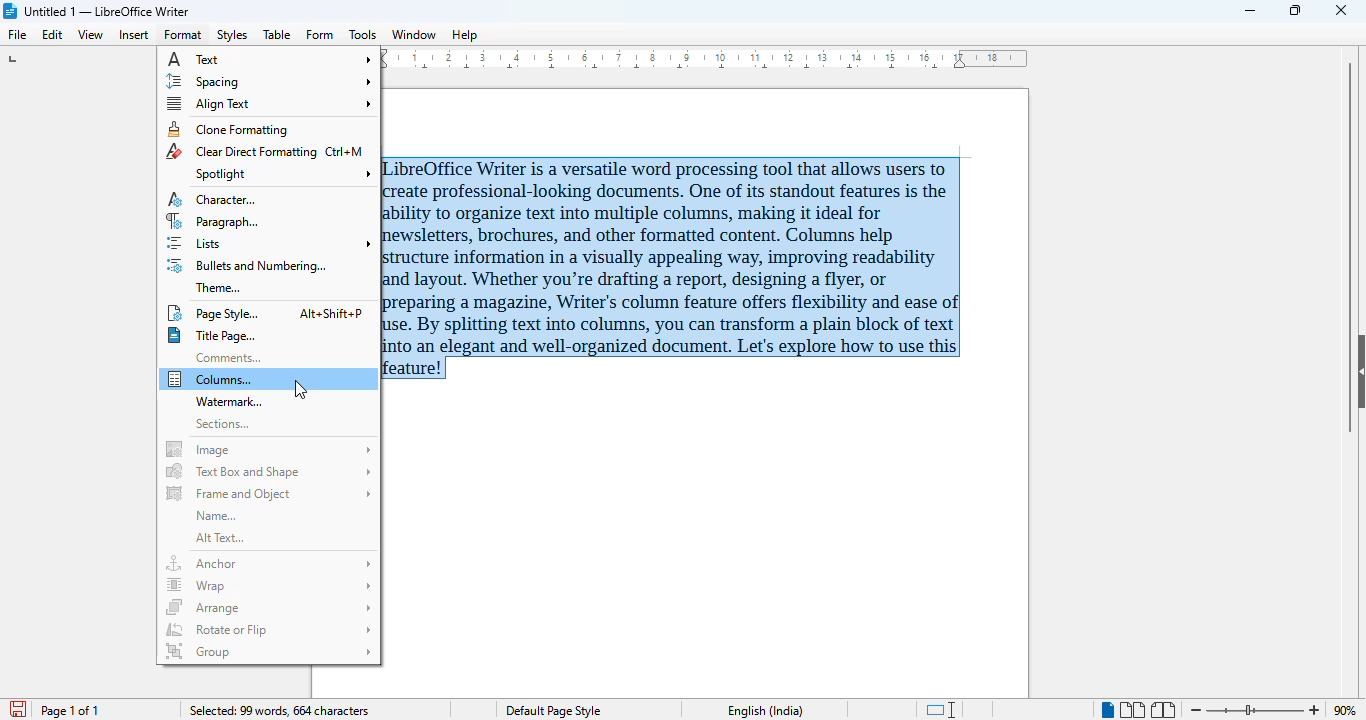 The width and height of the screenshot is (1366, 720). What do you see at coordinates (212, 336) in the screenshot?
I see `title page` at bounding box center [212, 336].